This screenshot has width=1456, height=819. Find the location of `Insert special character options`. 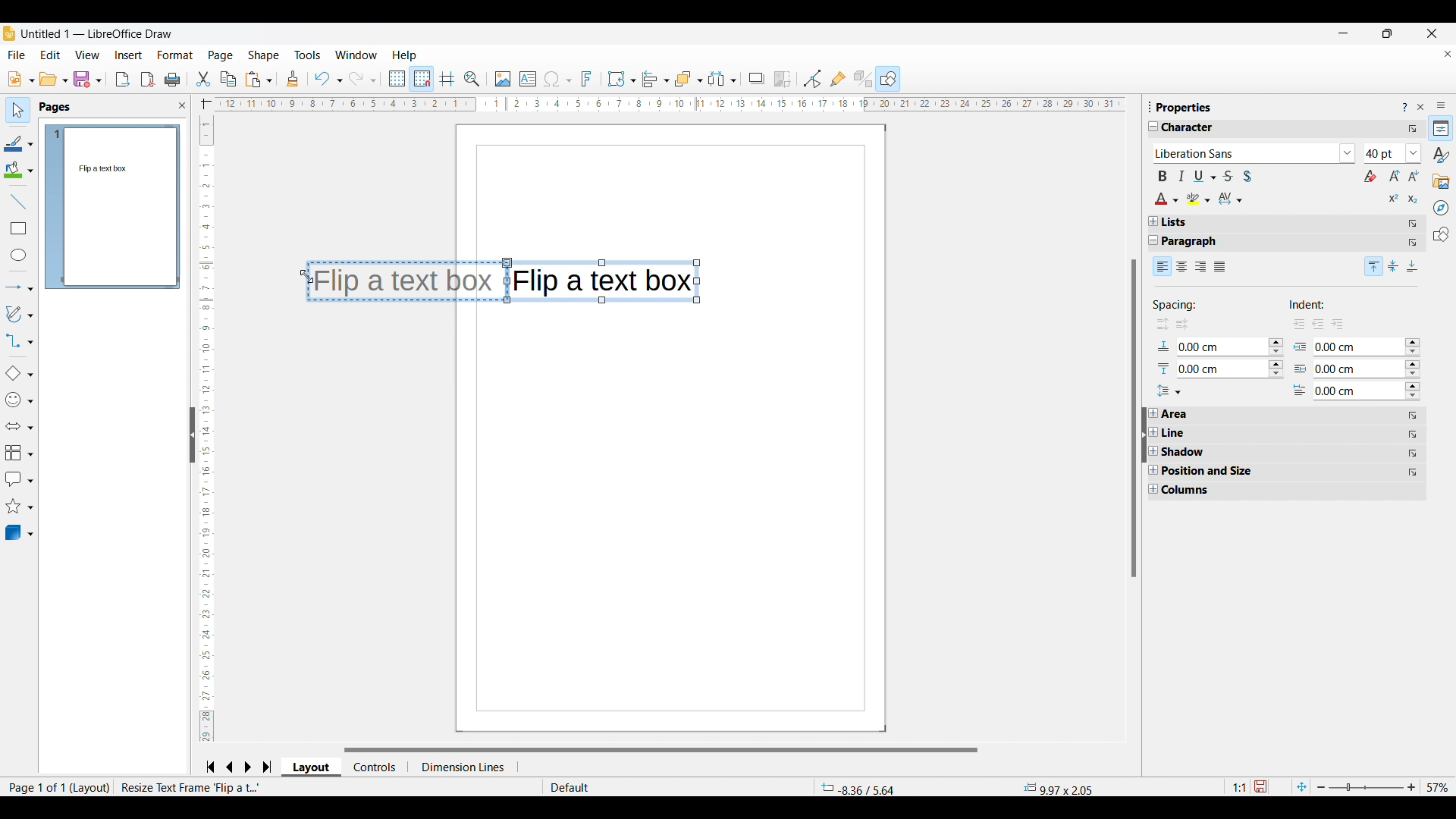

Insert special character options is located at coordinates (557, 80).